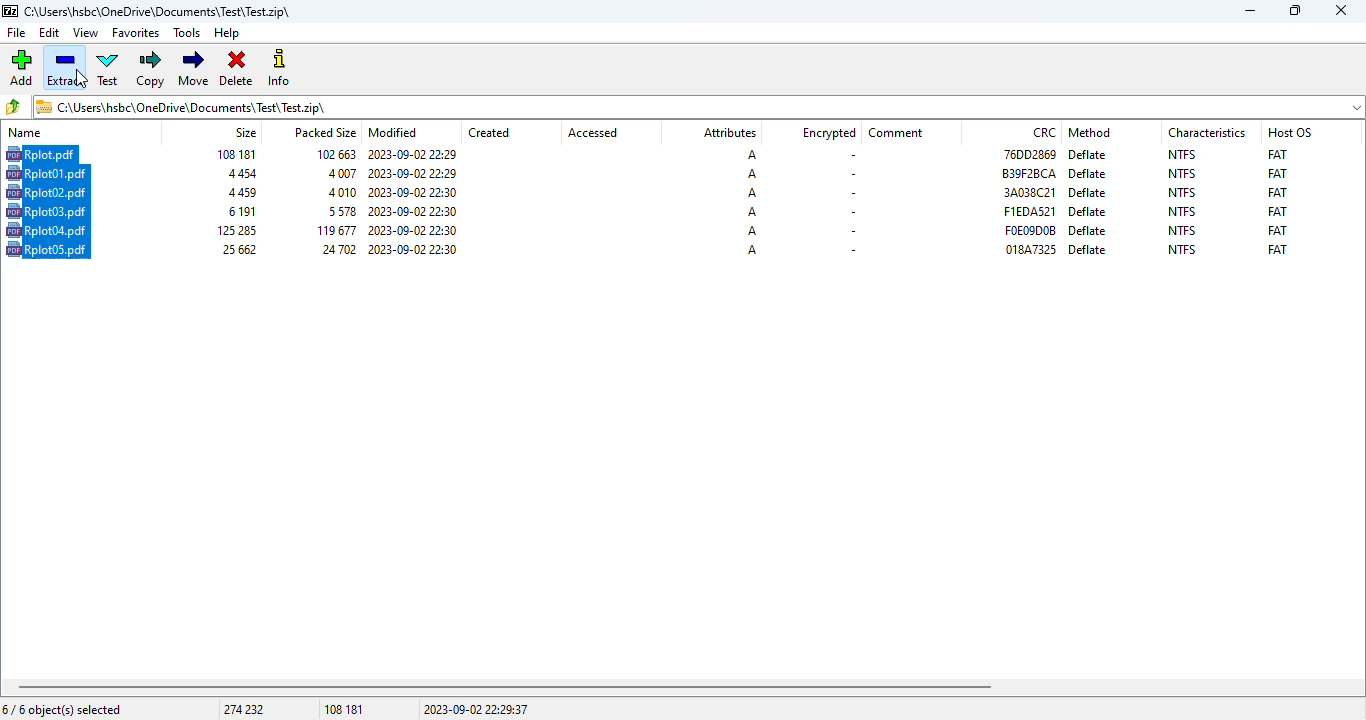 The width and height of the screenshot is (1366, 720). What do you see at coordinates (46, 230) in the screenshot?
I see `file` at bounding box center [46, 230].